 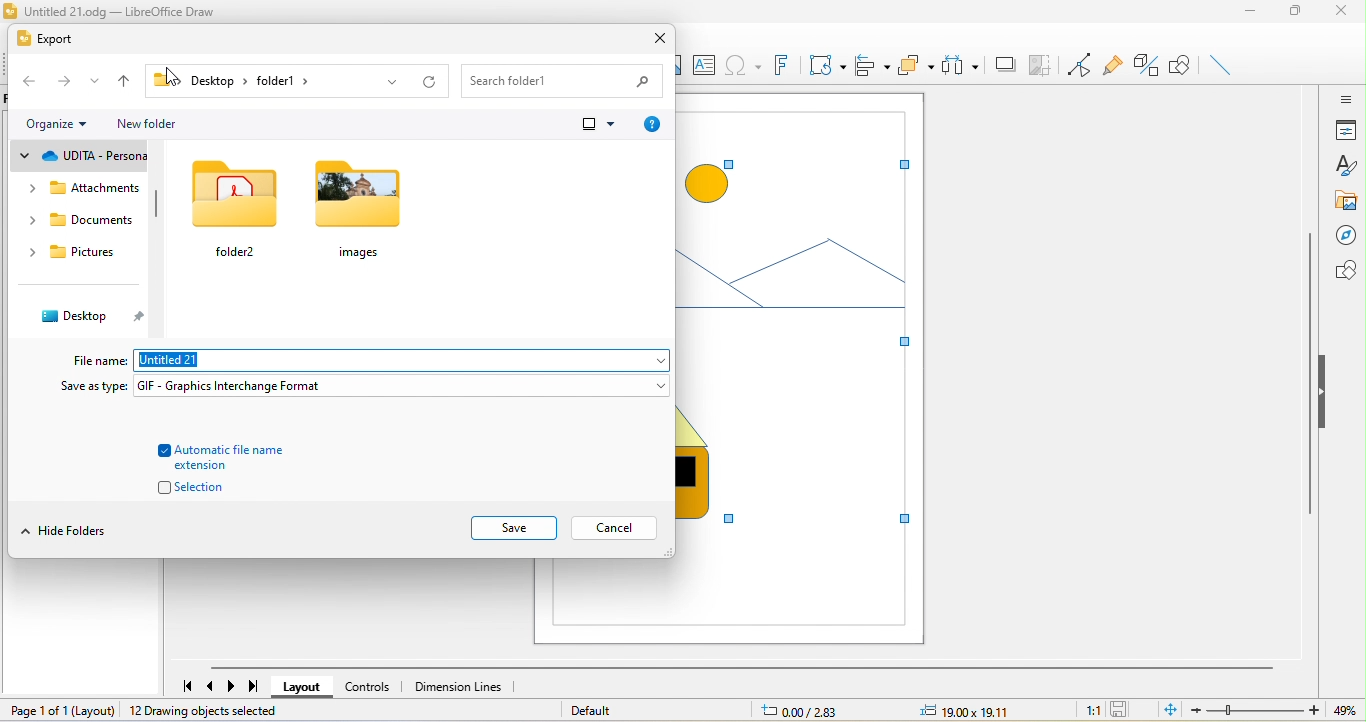 What do you see at coordinates (175, 79) in the screenshot?
I see `Cursor` at bounding box center [175, 79].